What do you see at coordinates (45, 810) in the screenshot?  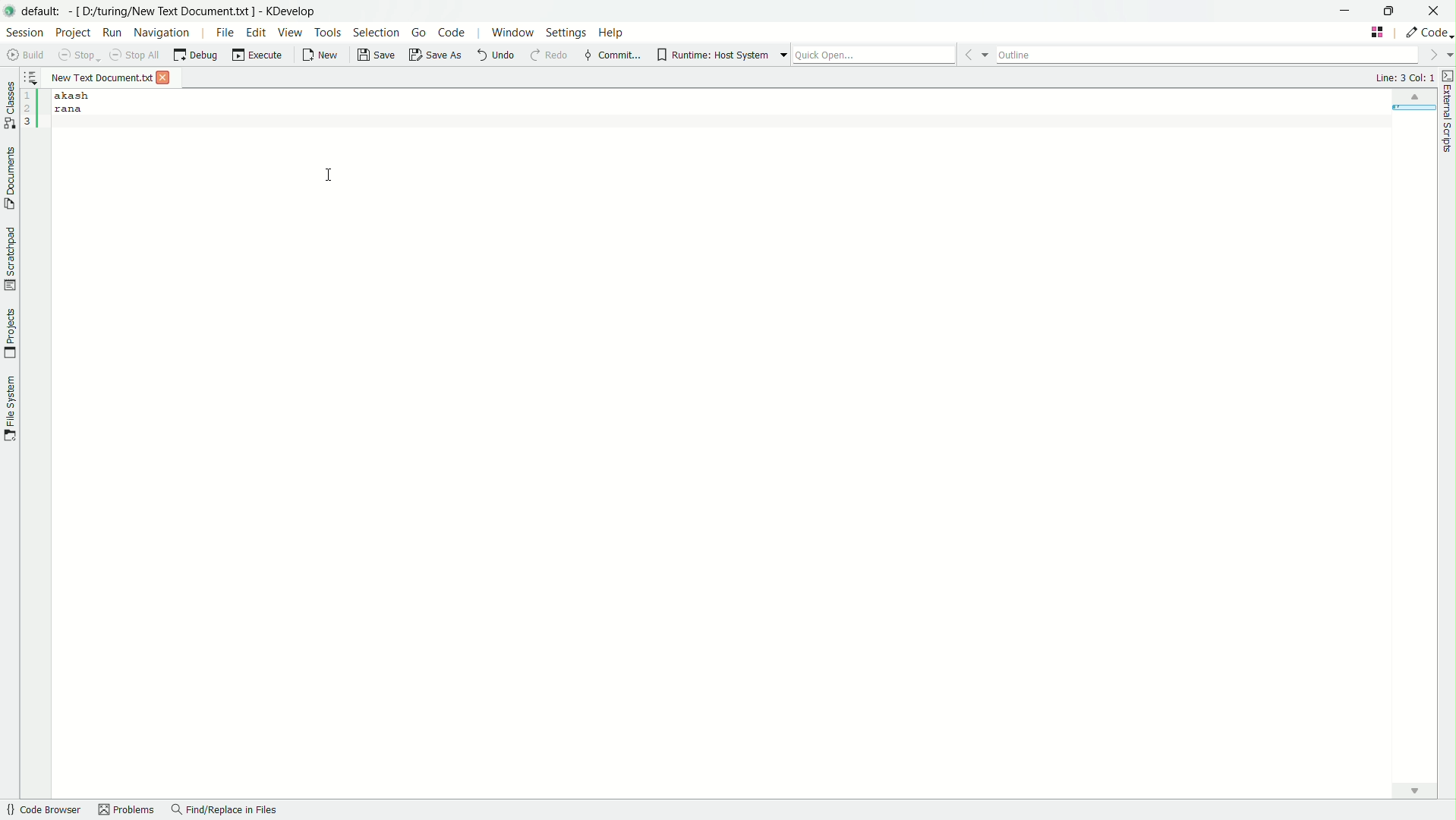 I see `code browser` at bounding box center [45, 810].